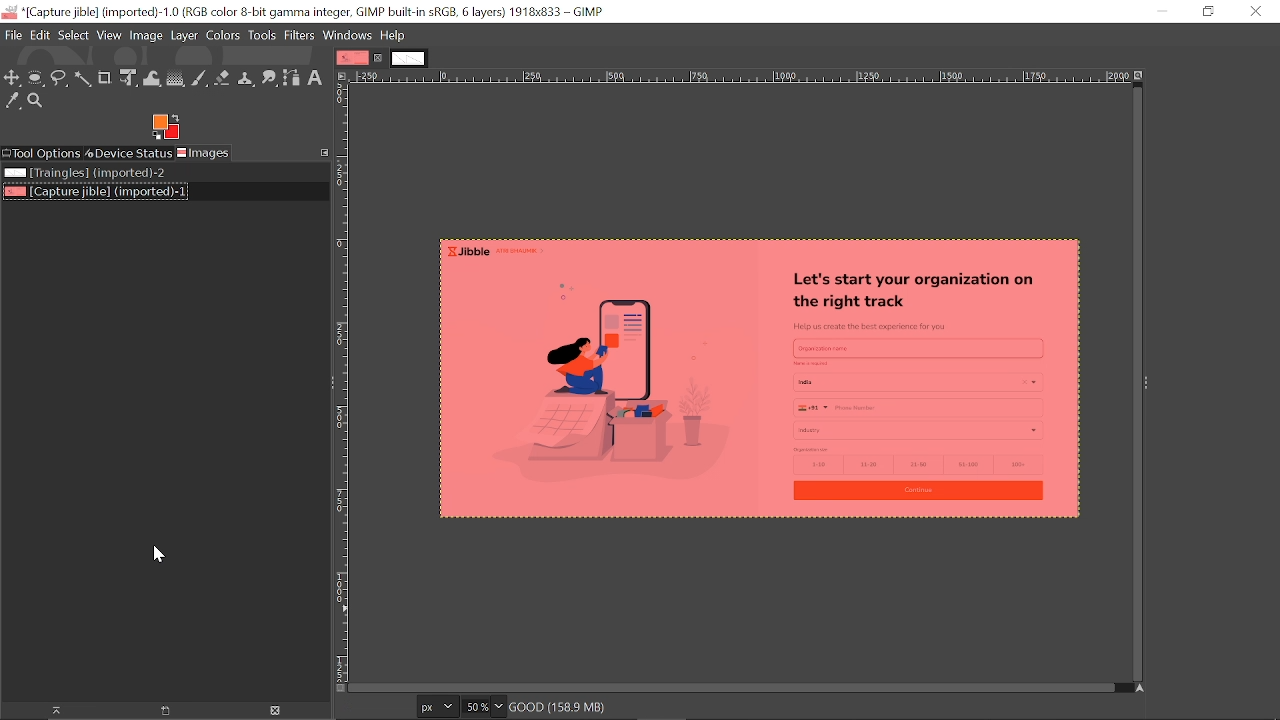 This screenshot has height=720, width=1280. Describe the element at coordinates (341, 382) in the screenshot. I see `Vertical label` at that location.